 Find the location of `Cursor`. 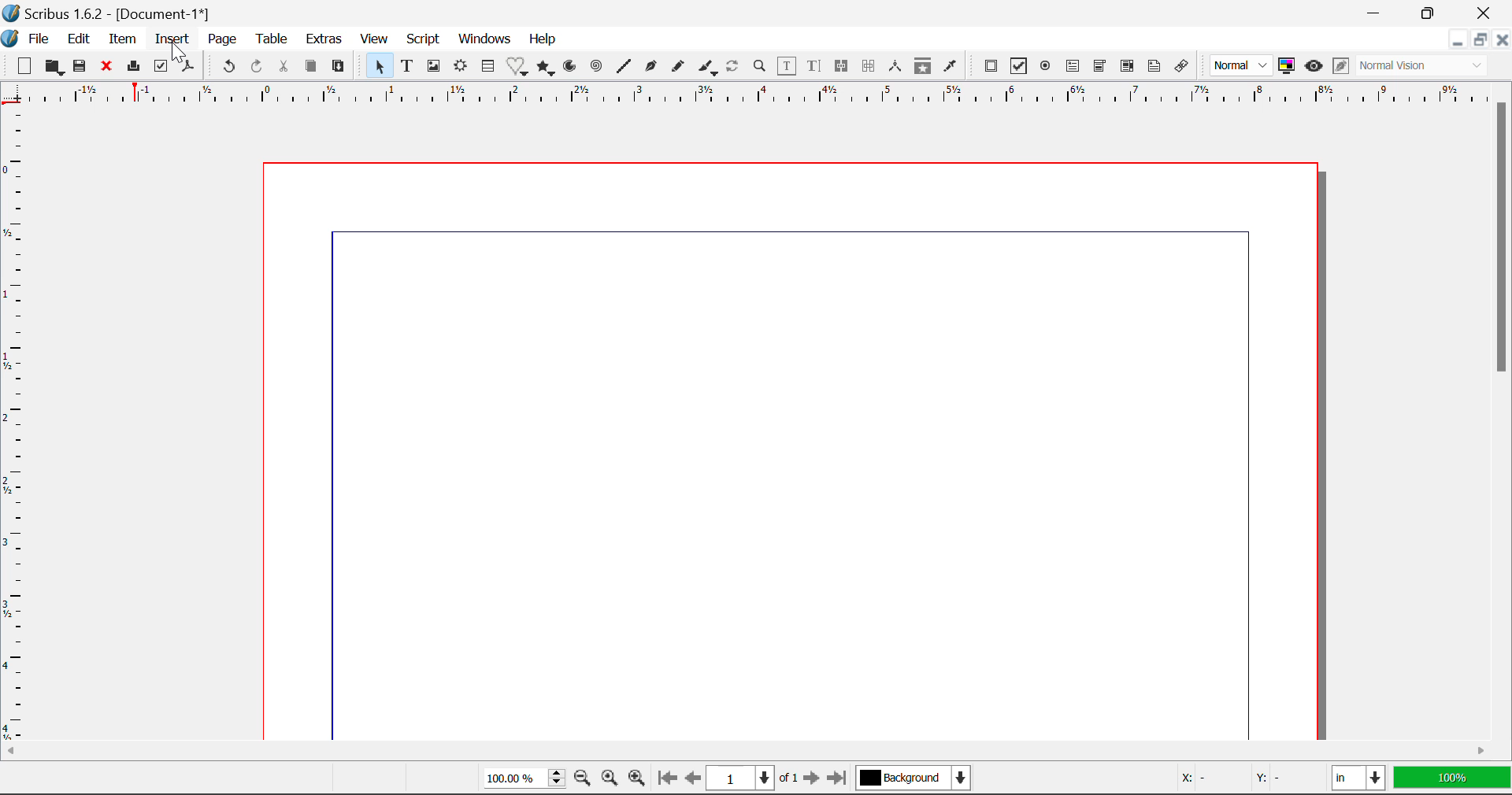

Cursor is located at coordinates (174, 48).